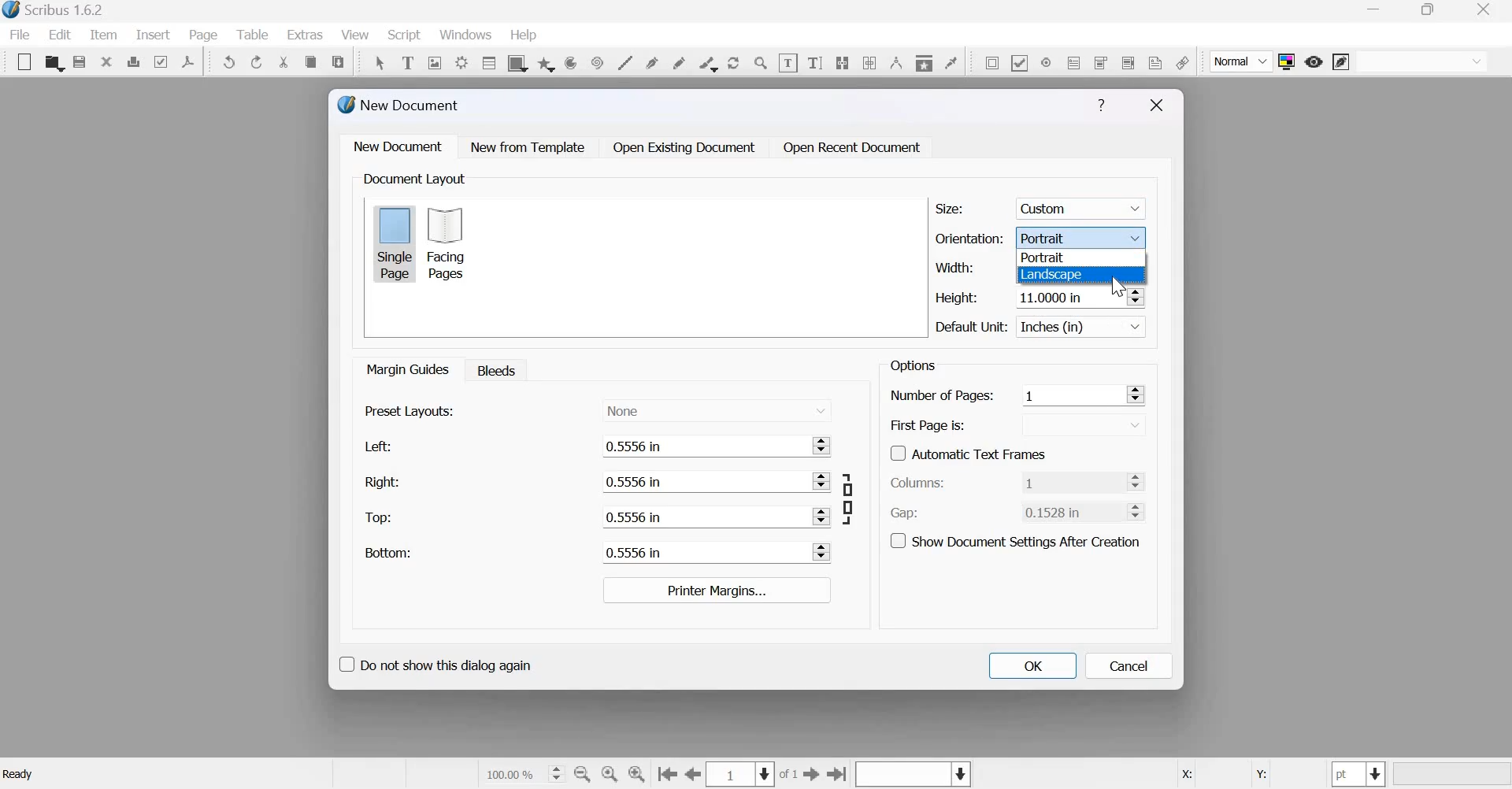 The image size is (1512, 789). I want to click on 0.5556 in, so click(701, 445).